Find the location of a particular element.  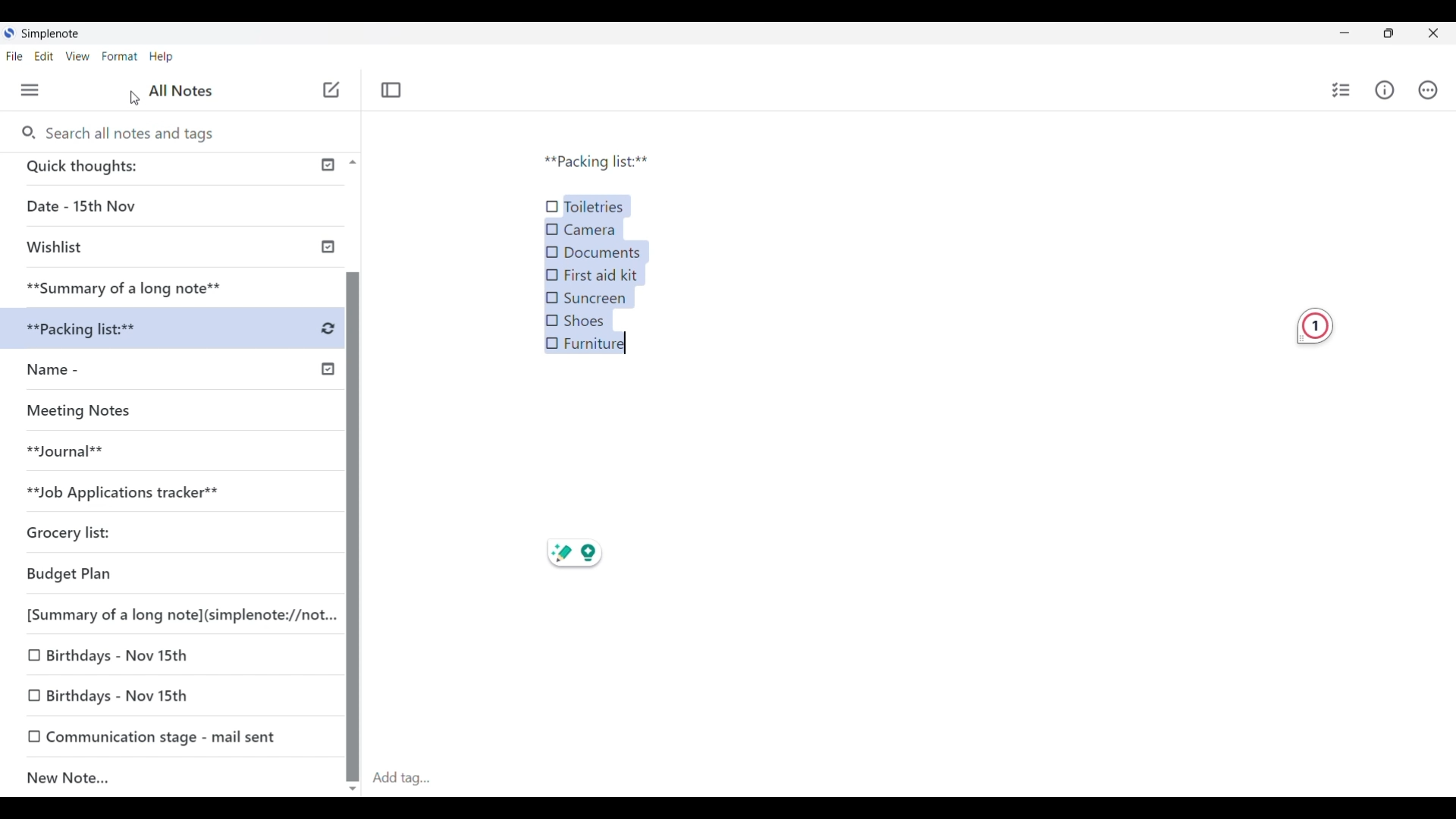

Packing list created with check boxes is located at coordinates (598, 275).